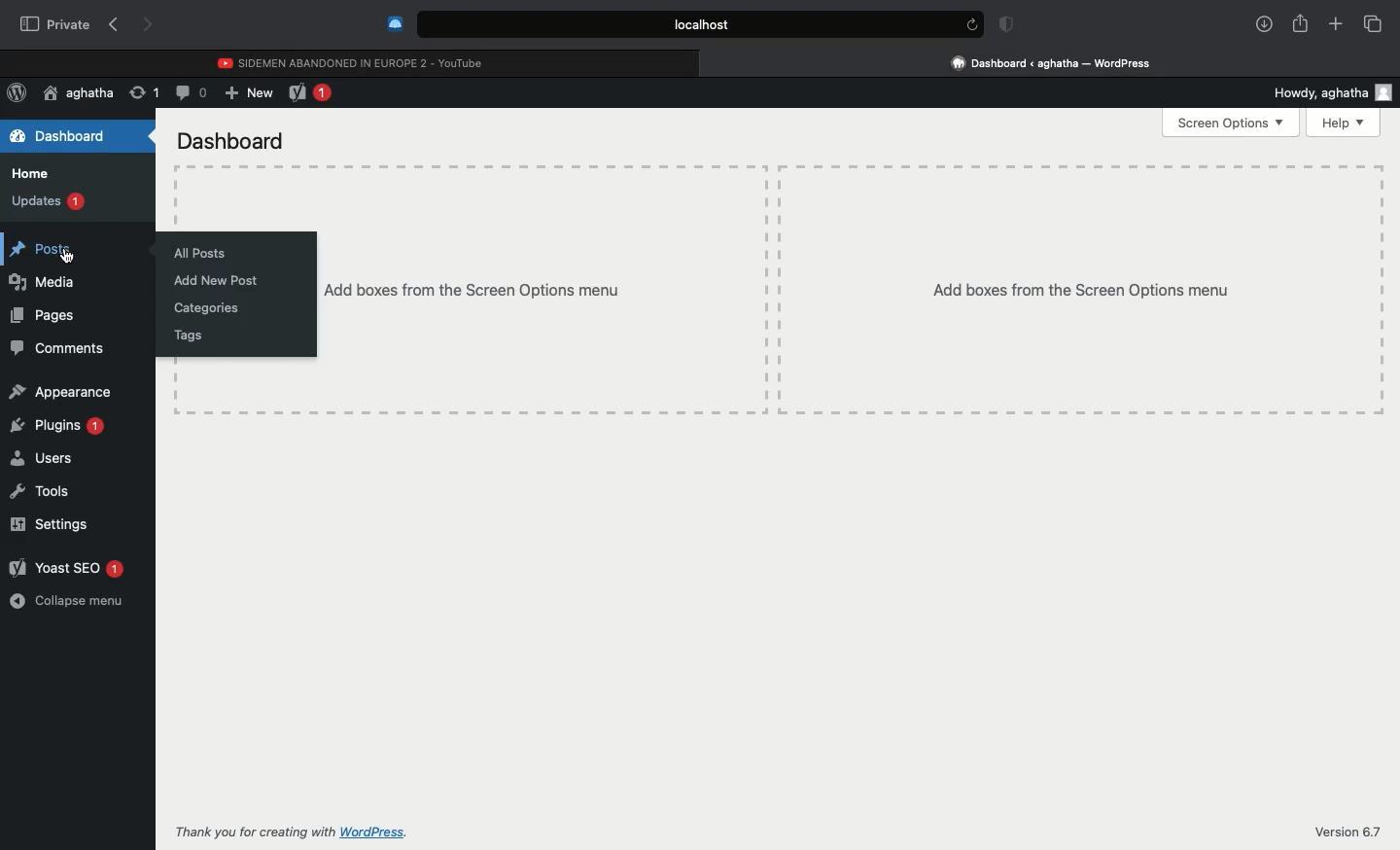  I want to click on User, so click(79, 93).